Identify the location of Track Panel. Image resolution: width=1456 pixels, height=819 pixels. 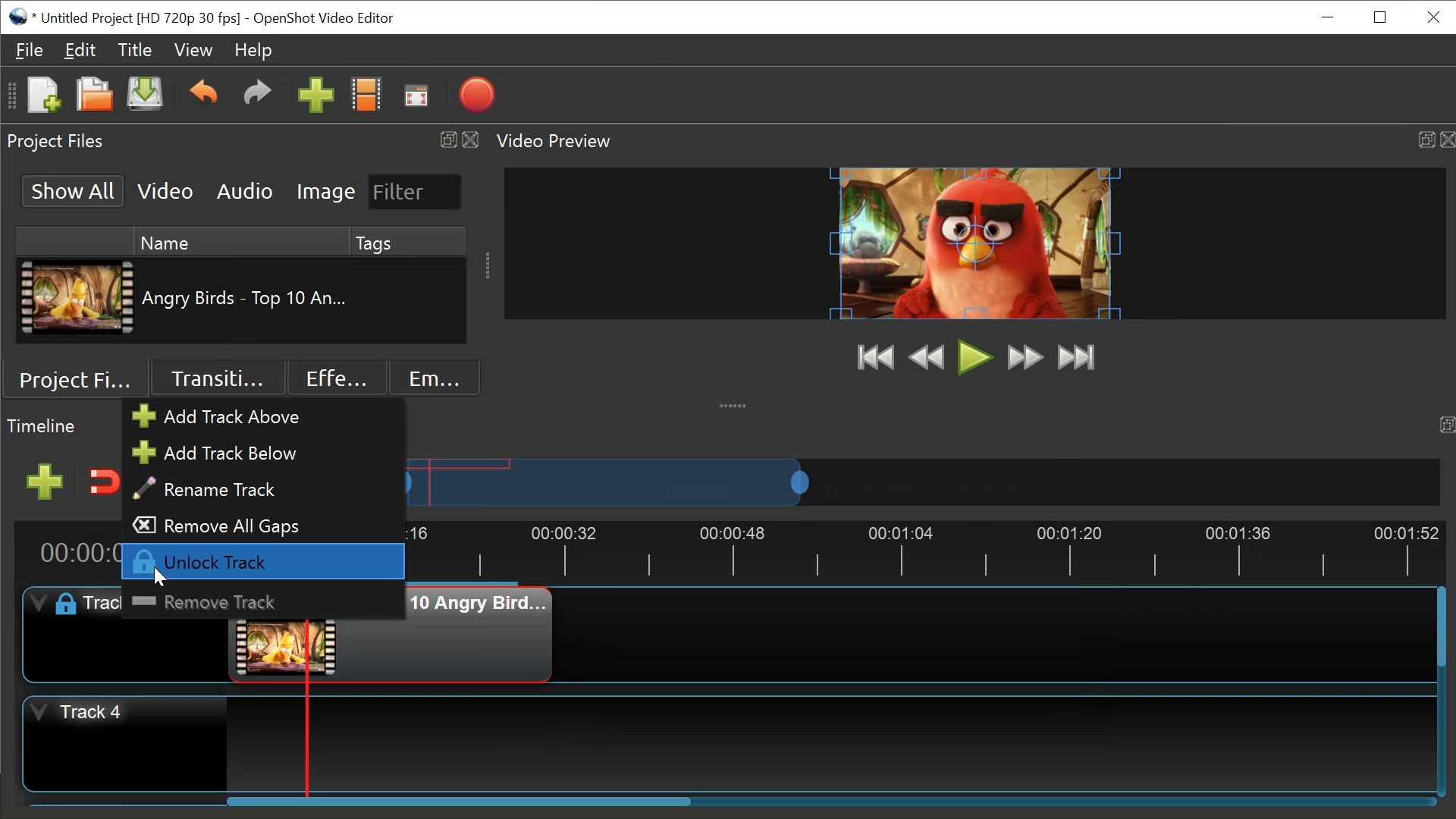
(820, 745).